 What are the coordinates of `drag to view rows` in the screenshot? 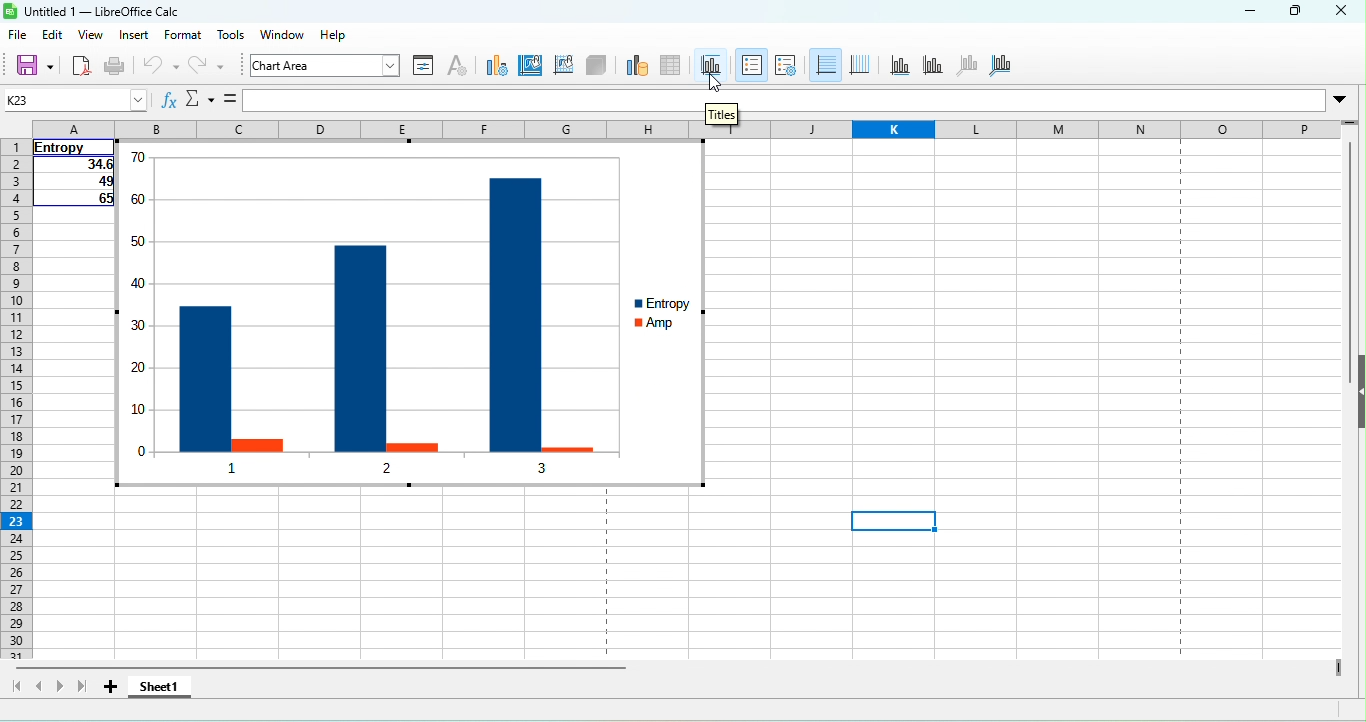 It's located at (1350, 120).